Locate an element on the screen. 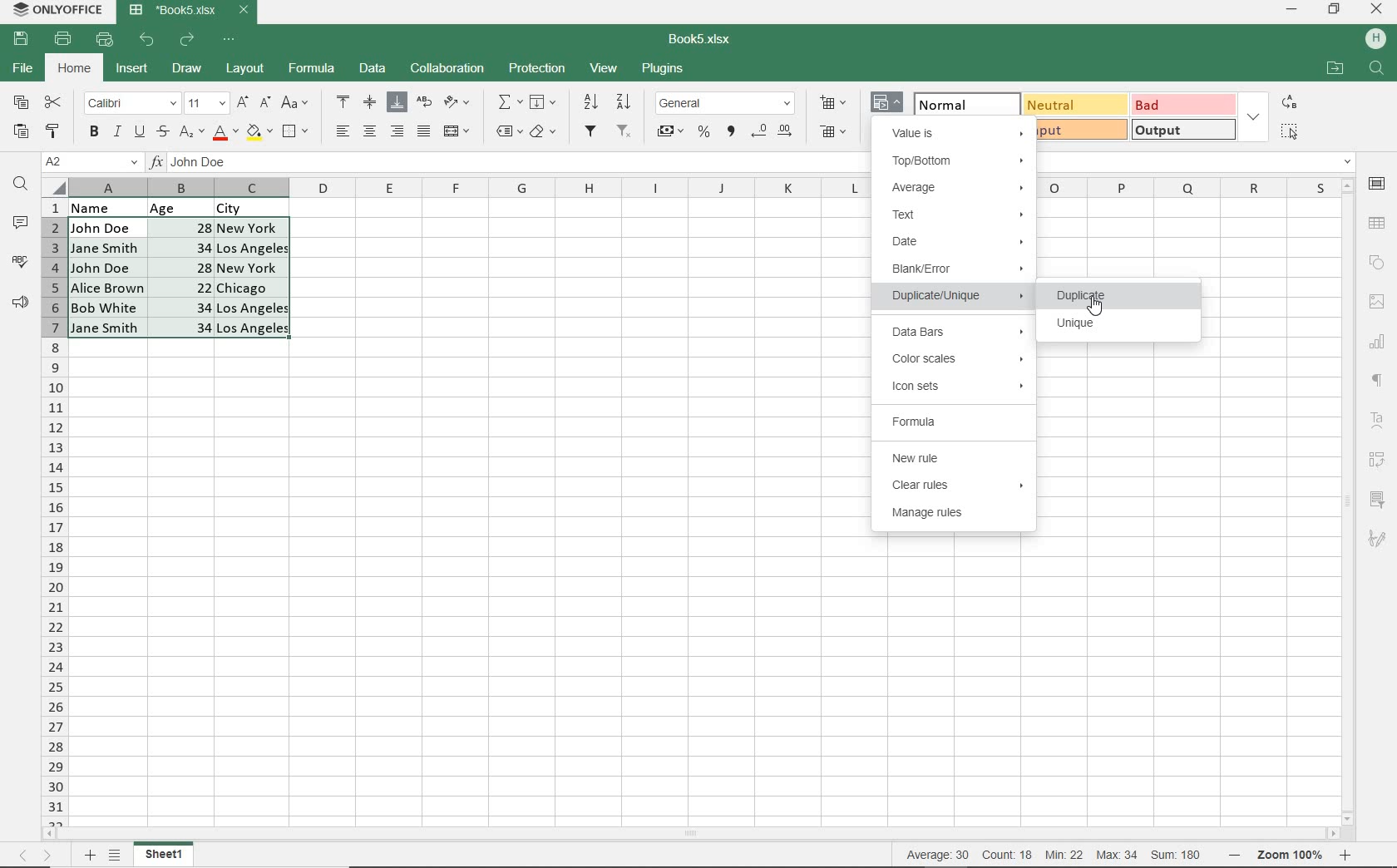  Search is located at coordinates (1377, 69).